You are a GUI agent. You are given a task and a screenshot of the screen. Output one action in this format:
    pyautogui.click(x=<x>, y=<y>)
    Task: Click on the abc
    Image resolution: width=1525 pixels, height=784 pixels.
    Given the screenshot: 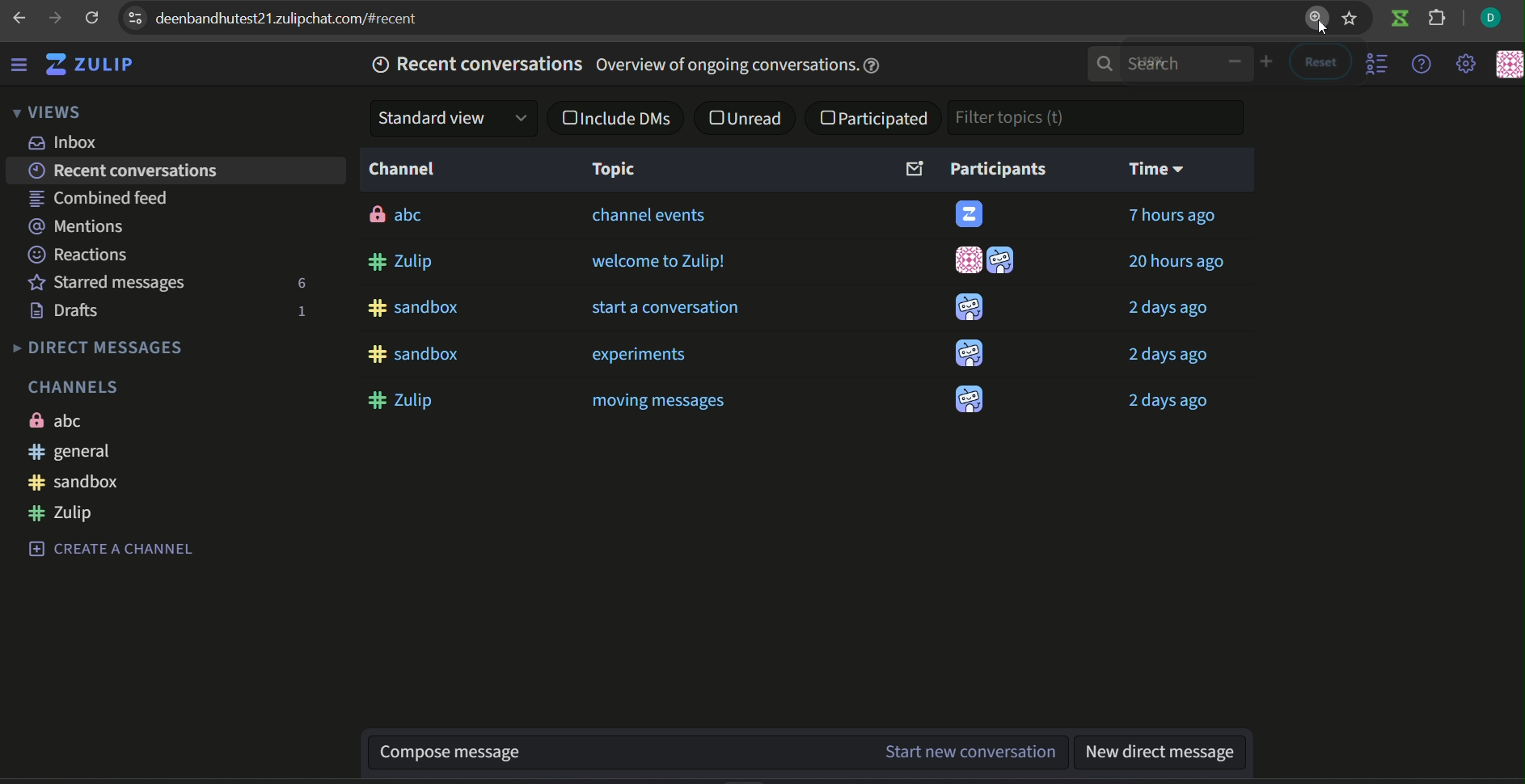 What is the action you would take?
    pyautogui.click(x=60, y=419)
    